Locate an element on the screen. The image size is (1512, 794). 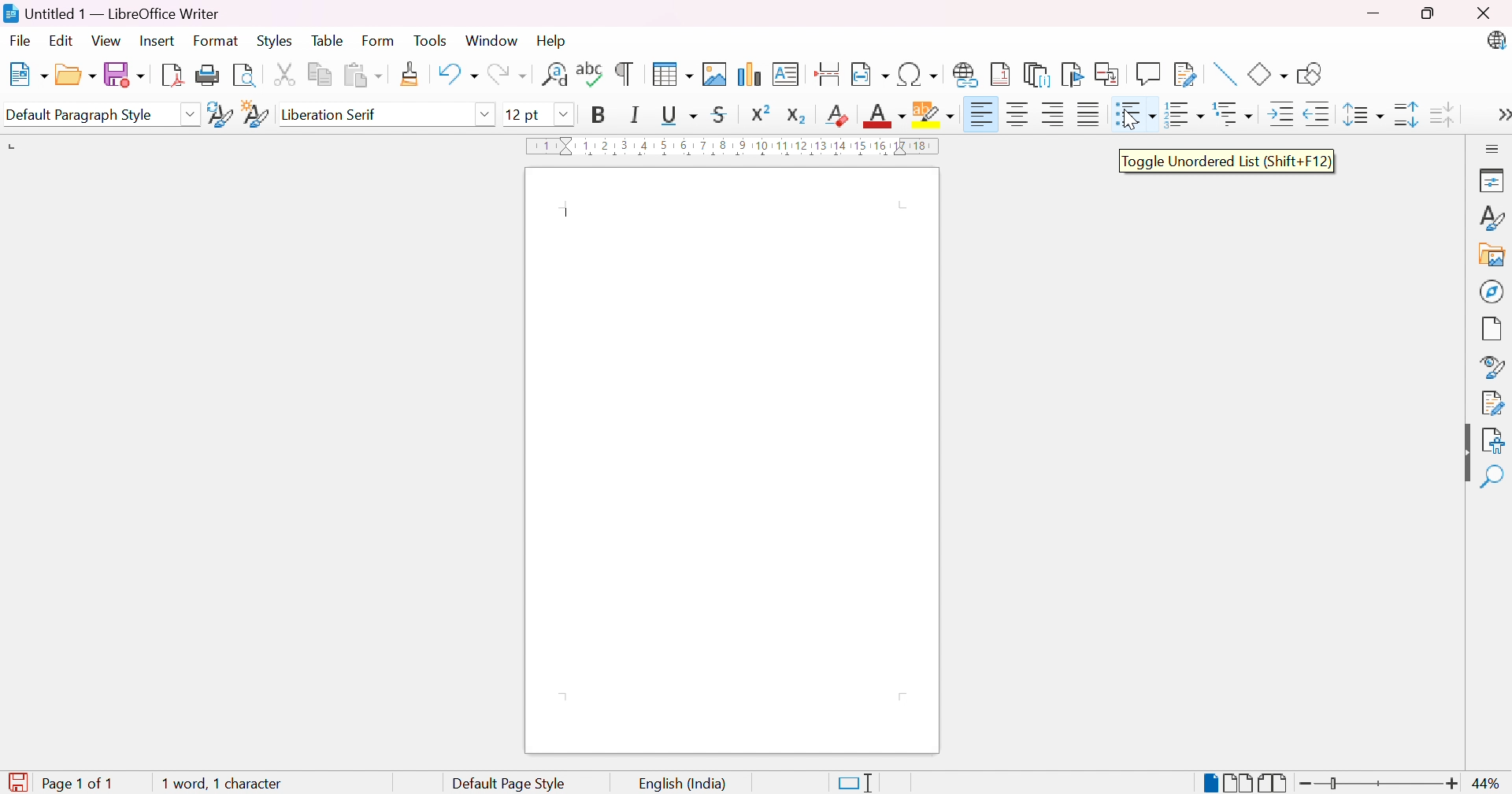
Minimize is located at coordinates (1373, 11).